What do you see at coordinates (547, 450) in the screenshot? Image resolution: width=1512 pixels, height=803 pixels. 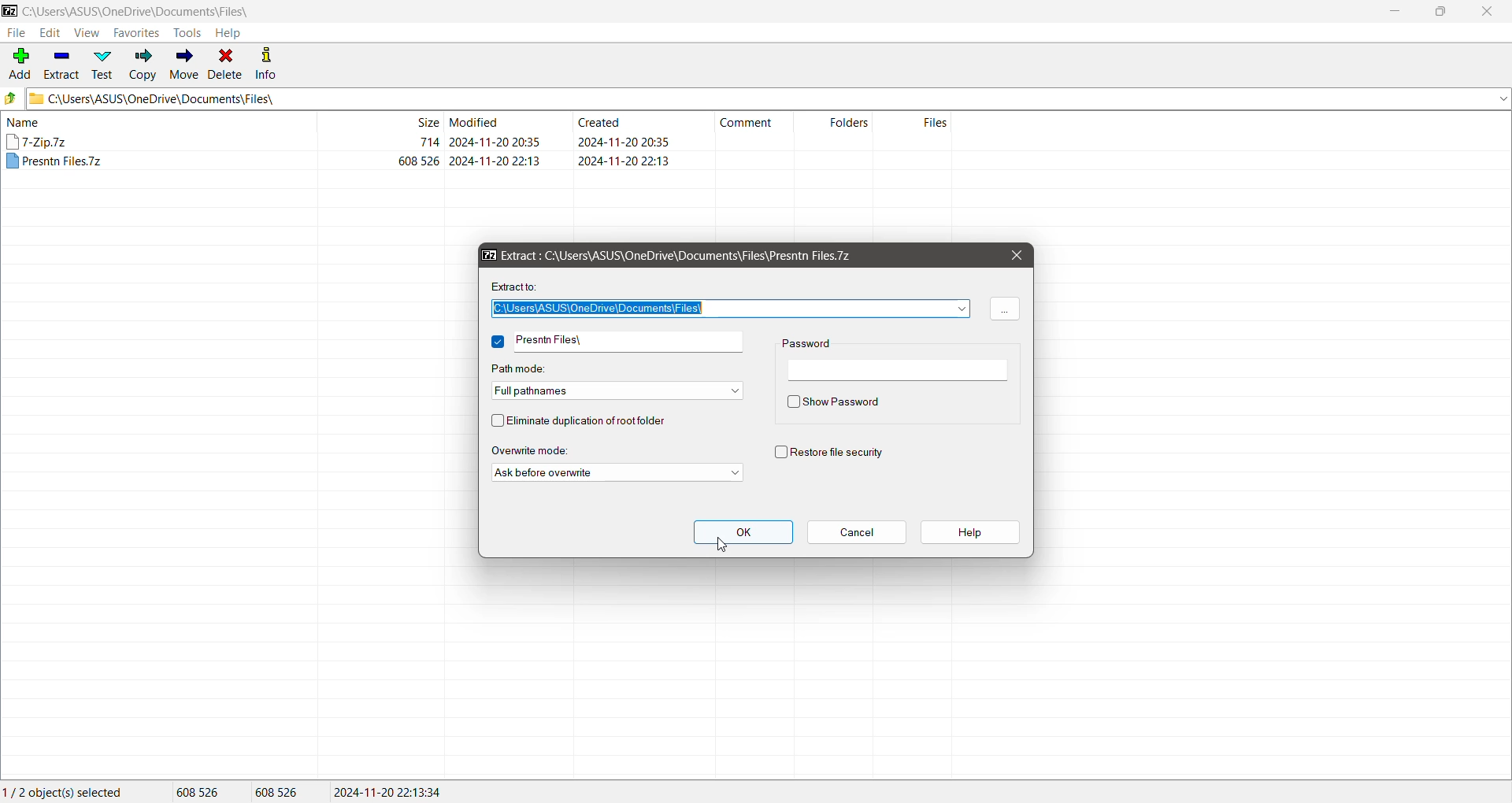 I see `Overwrite mode:` at bounding box center [547, 450].